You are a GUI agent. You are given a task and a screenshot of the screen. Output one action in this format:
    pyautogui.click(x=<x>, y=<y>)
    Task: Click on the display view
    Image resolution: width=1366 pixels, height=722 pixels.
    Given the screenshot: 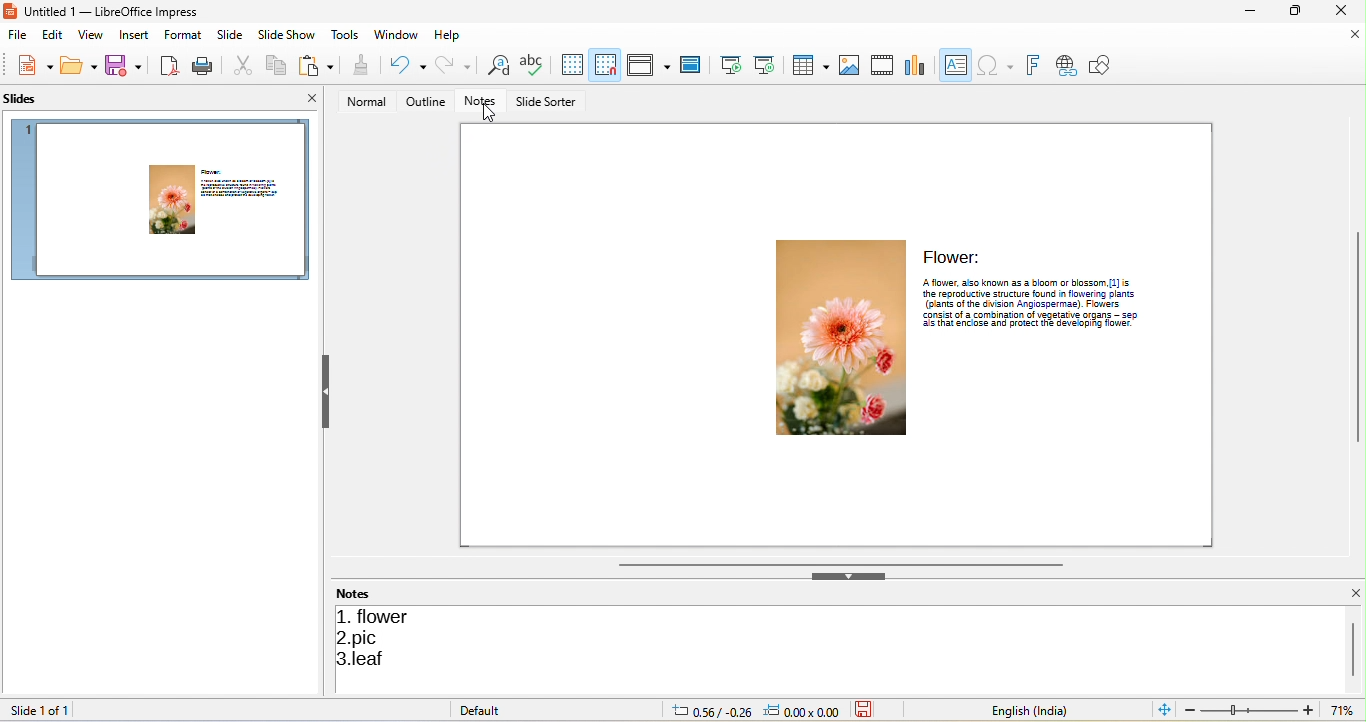 What is the action you would take?
    pyautogui.click(x=649, y=63)
    